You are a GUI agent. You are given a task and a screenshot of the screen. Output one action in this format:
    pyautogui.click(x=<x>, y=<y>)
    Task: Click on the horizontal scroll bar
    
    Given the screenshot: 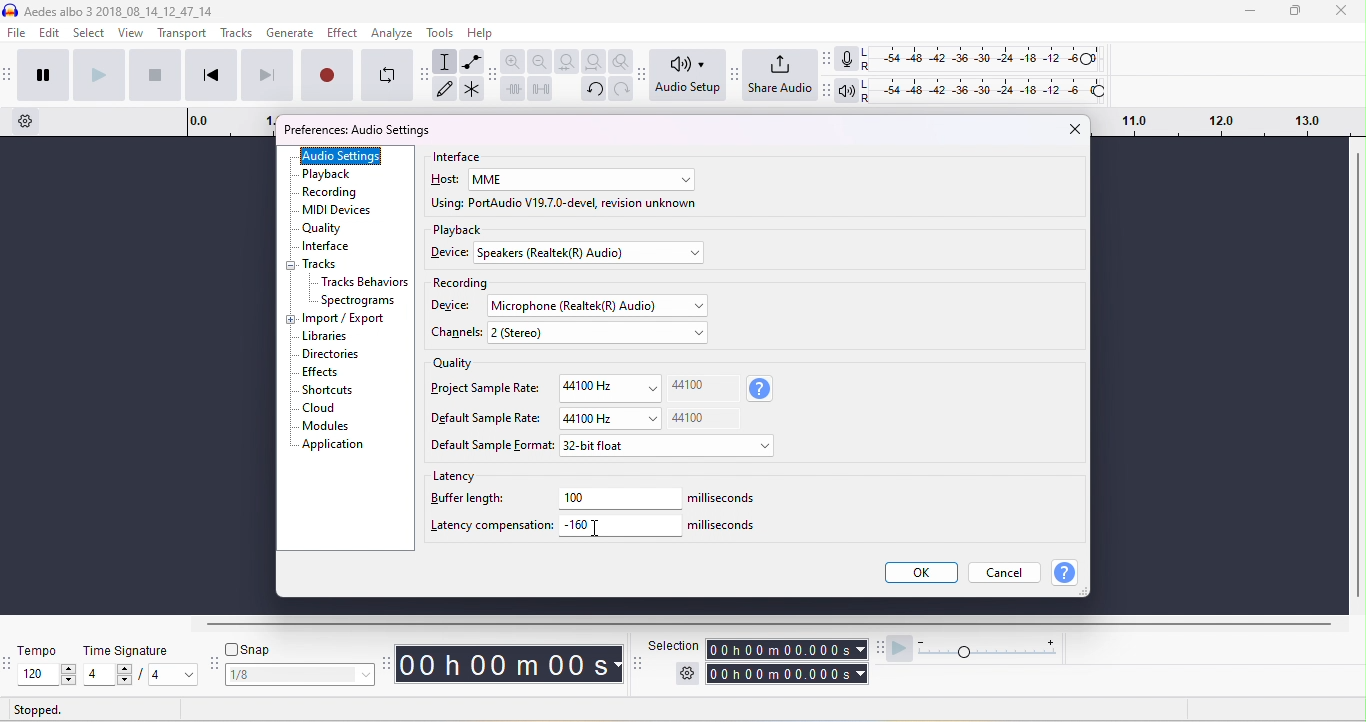 What is the action you would take?
    pyautogui.click(x=774, y=625)
    